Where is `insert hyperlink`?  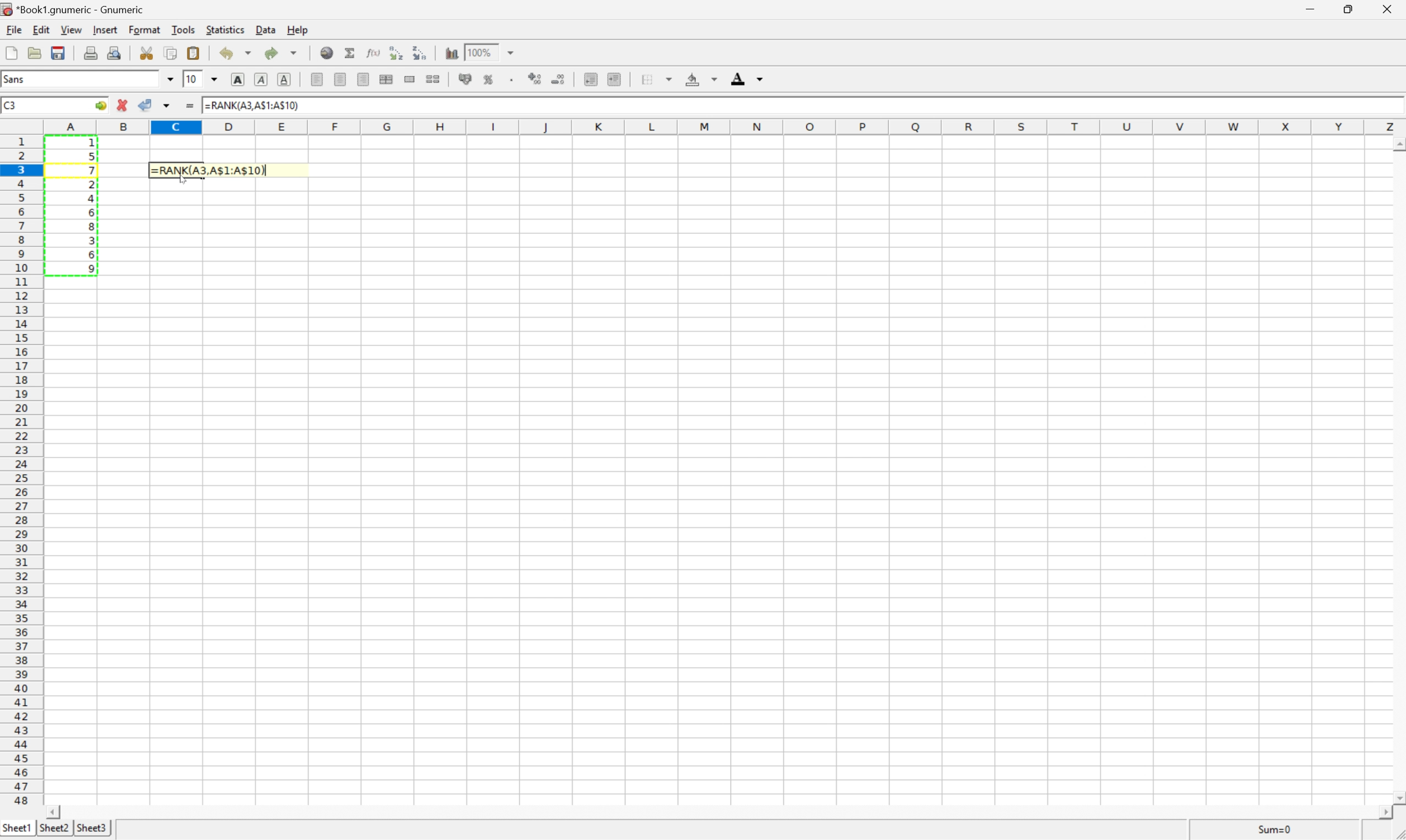 insert hyperlink is located at coordinates (324, 52).